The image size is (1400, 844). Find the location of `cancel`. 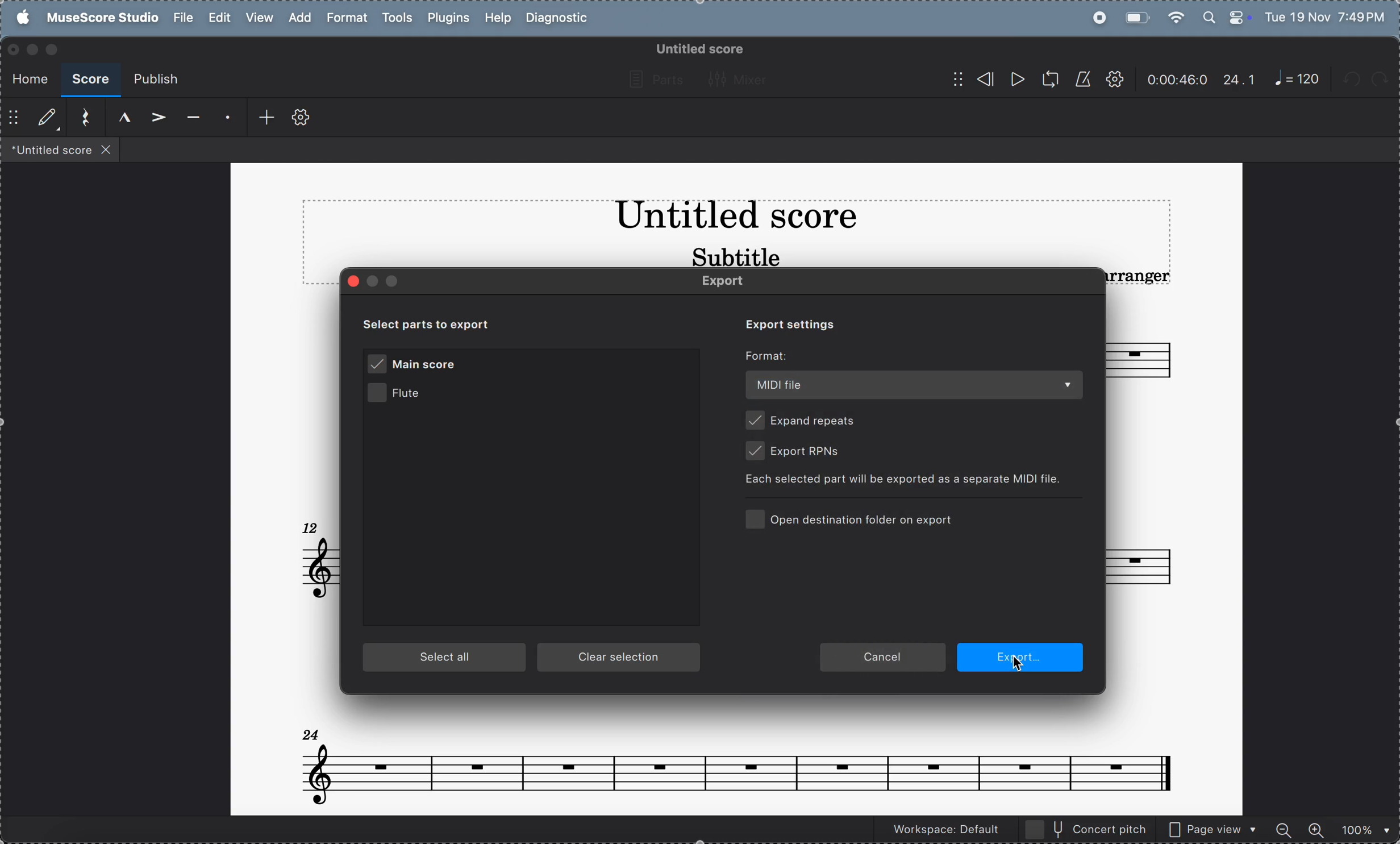

cancel is located at coordinates (882, 658).